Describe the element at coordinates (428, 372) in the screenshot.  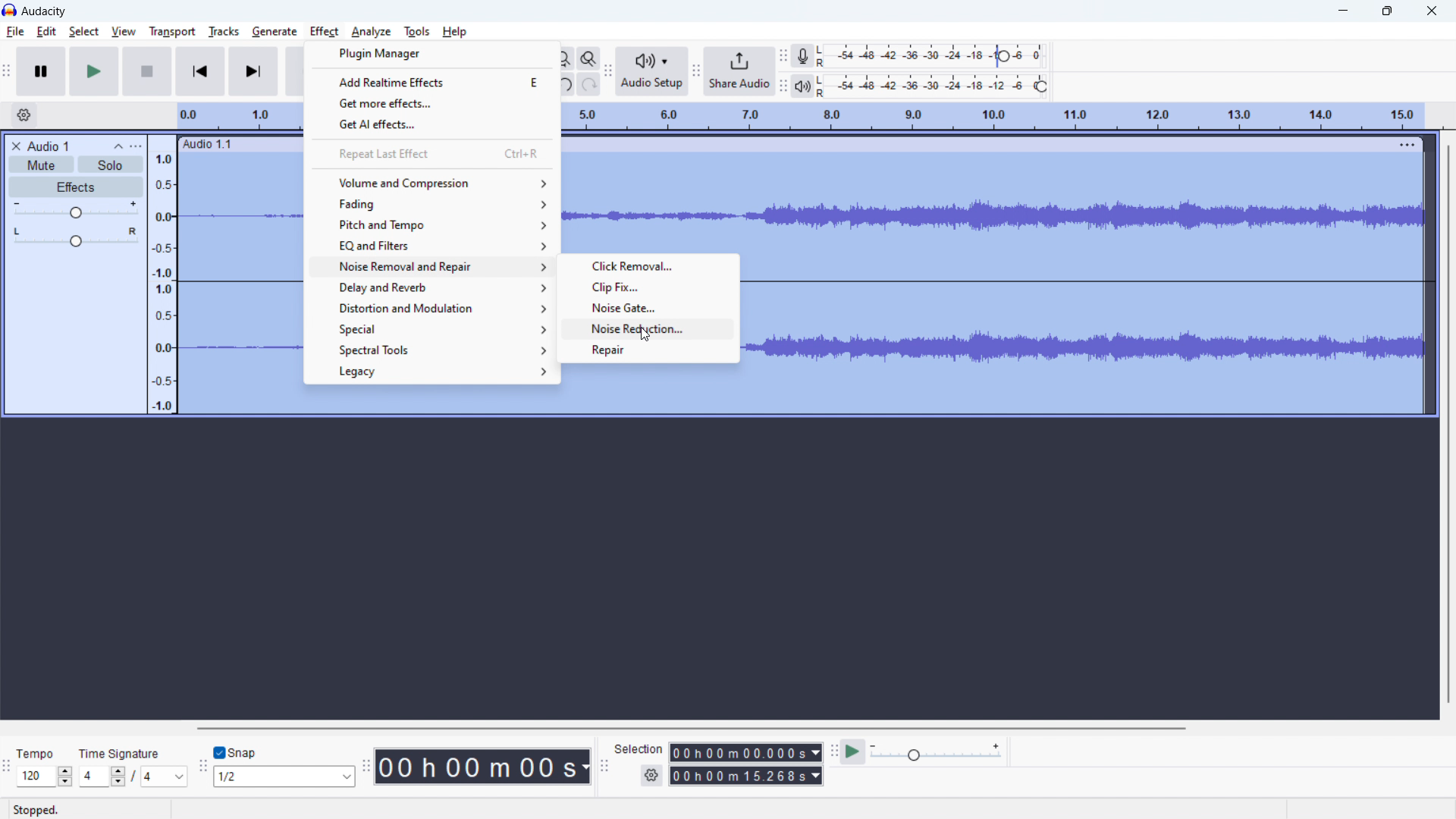
I see `legacy` at that location.